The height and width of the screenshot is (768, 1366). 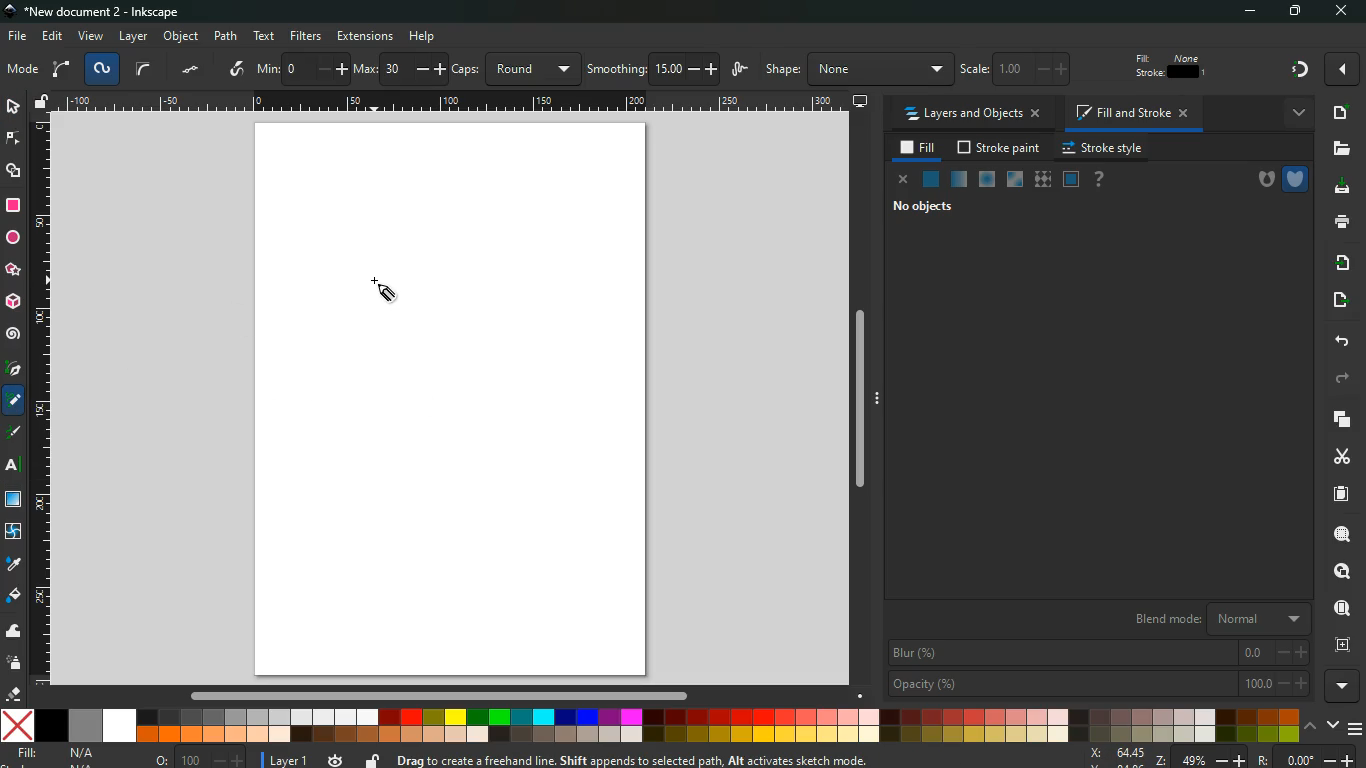 I want to click on wiggle, so click(x=740, y=71).